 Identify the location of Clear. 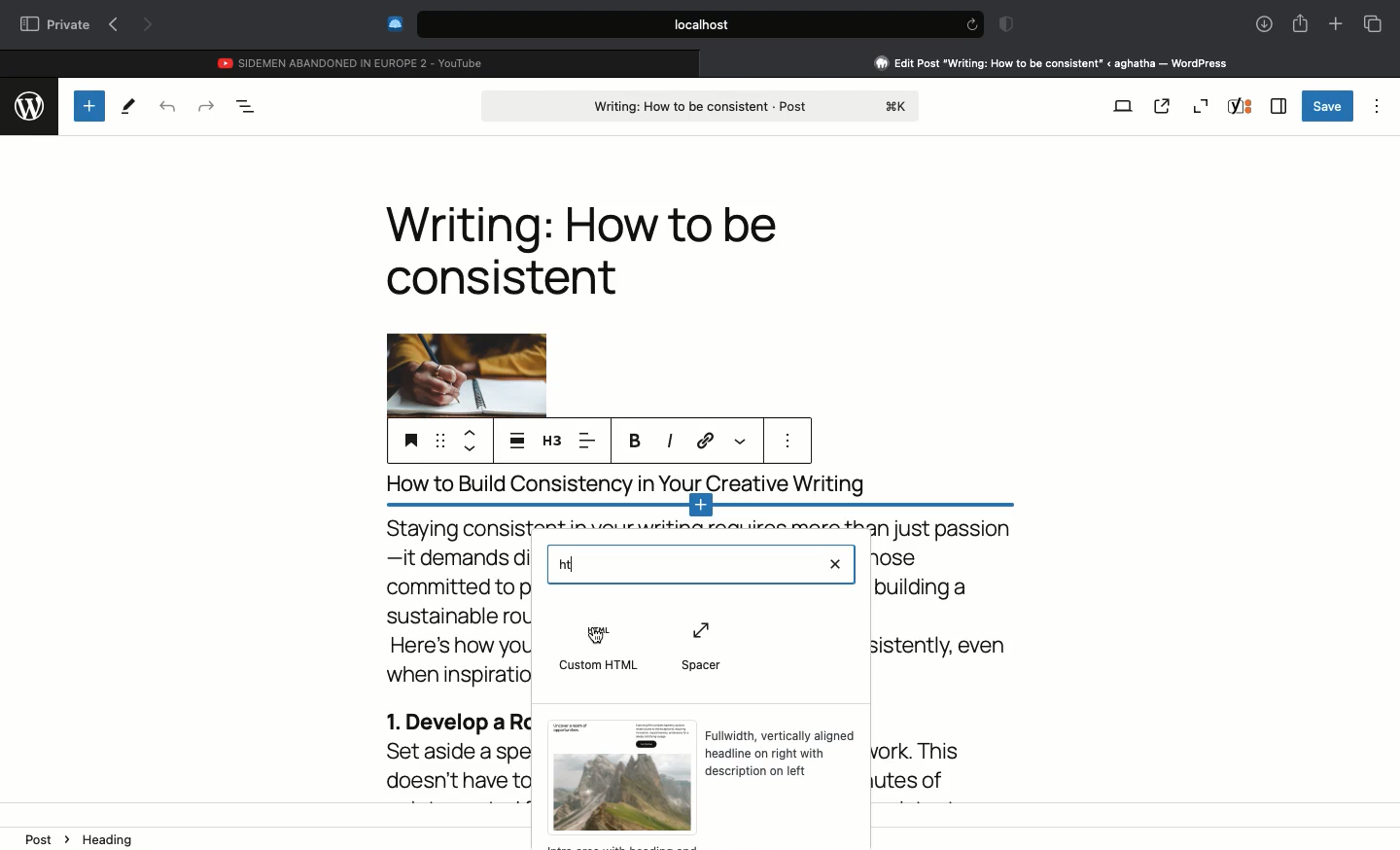
(837, 564).